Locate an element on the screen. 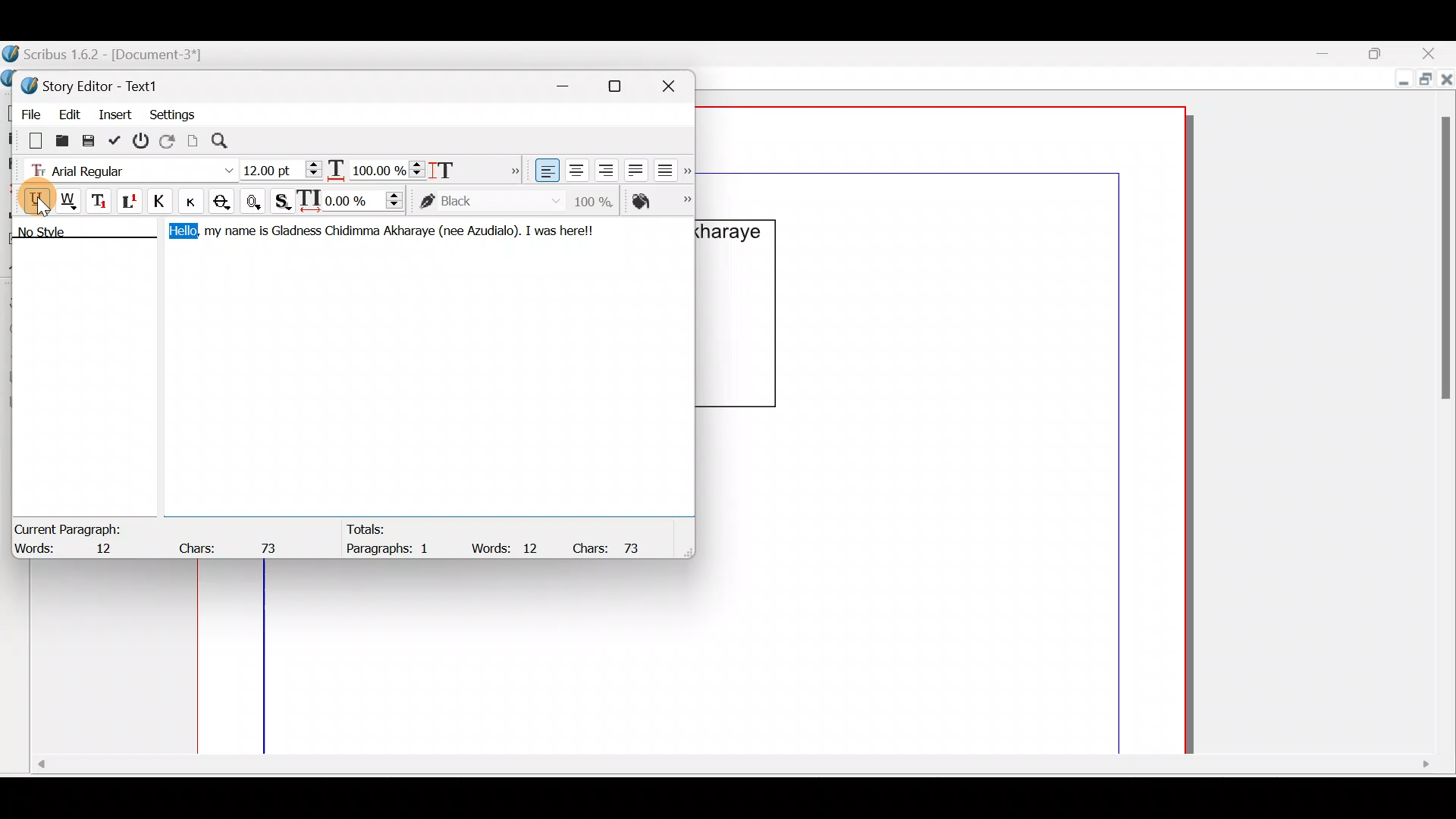 This screenshot has width=1456, height=819. Totals: Paragraphs: 1 is located at coordinates (390, 538).